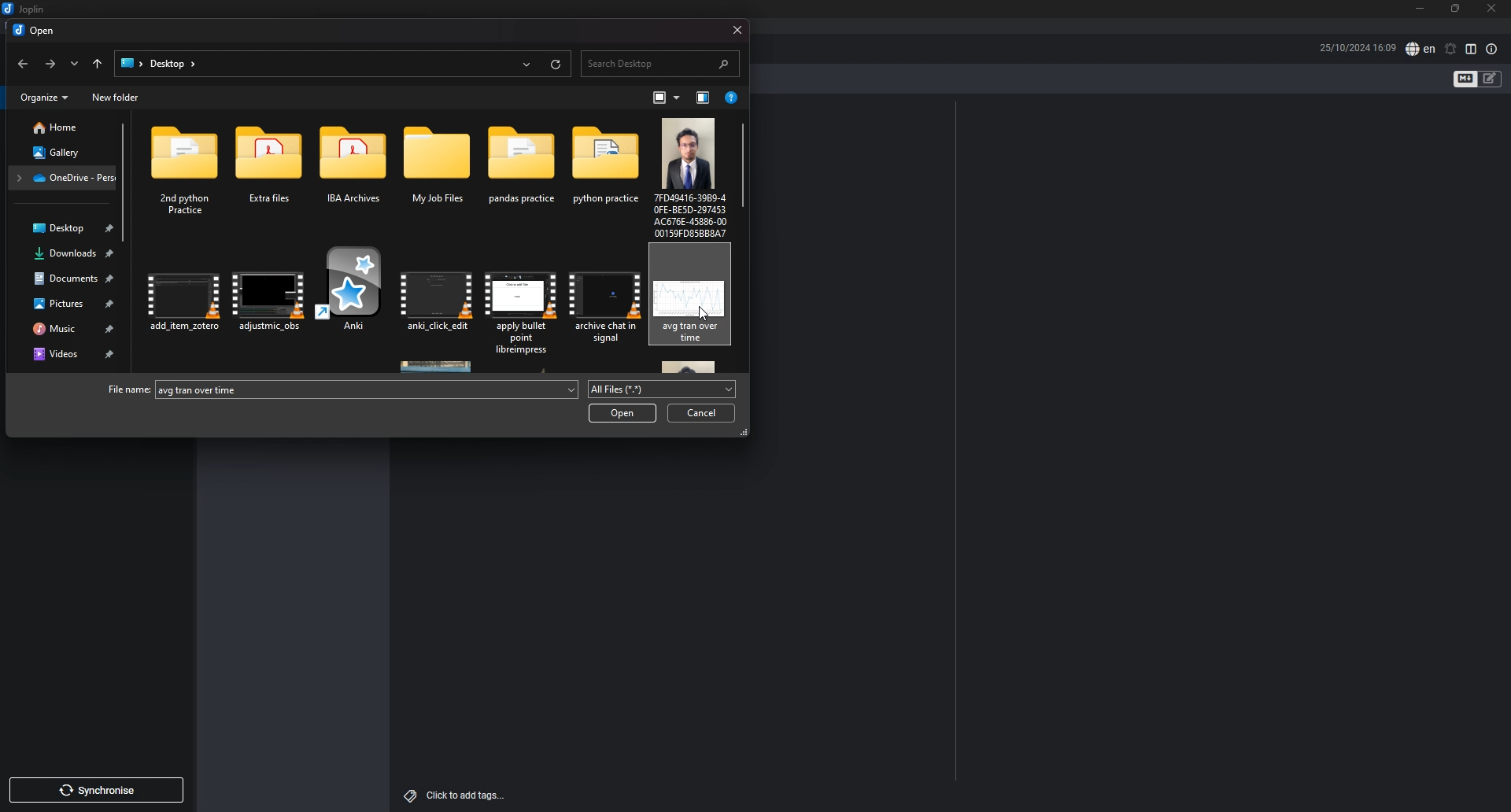 Image resolution: width=1511 pixels, height=812 pixels. Describe the element at coordinates (435, 174) in the screenshot. I see `My job files` at that location.